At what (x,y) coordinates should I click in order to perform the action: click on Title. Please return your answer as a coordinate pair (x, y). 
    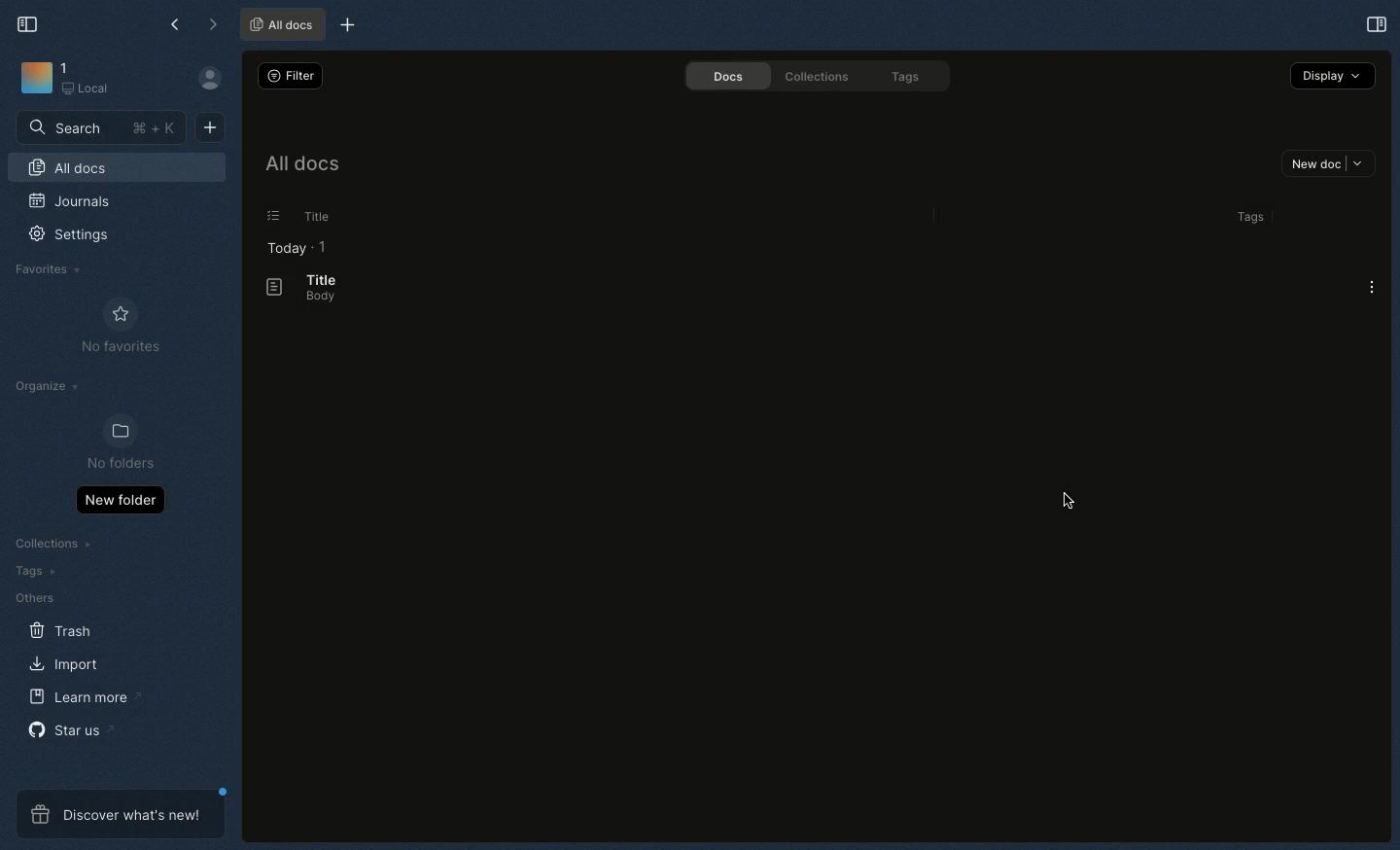
    Looking at the image, I should click on (313, 217).